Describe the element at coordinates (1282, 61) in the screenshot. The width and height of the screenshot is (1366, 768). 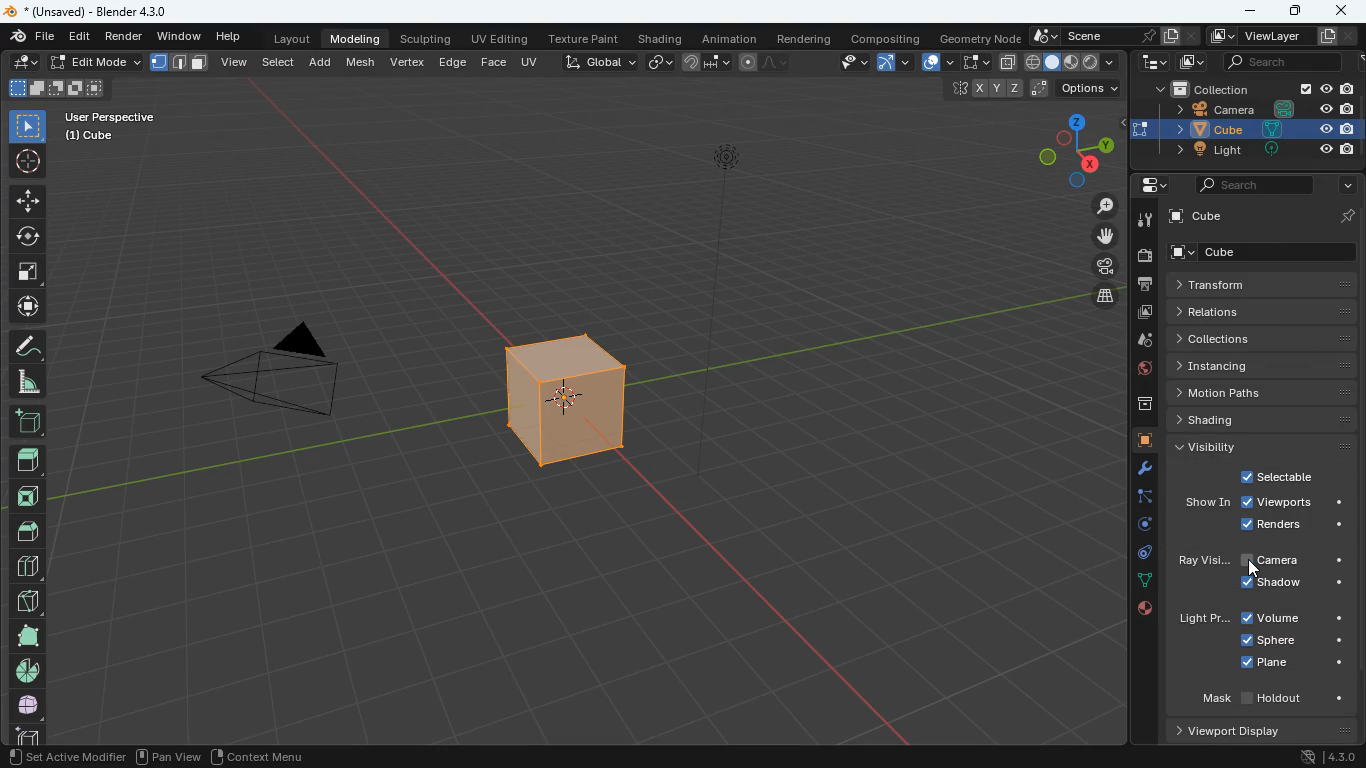
I see `search` at that location.